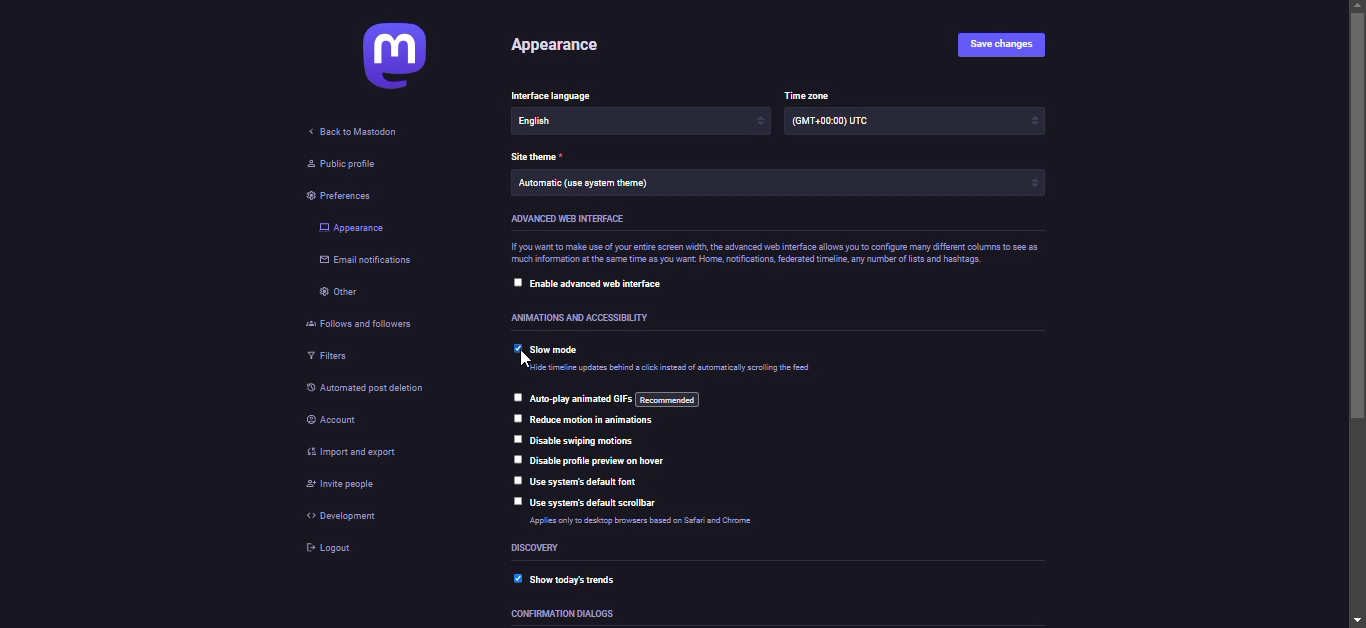  I want to click on back to mastodon, so click(355, 131).